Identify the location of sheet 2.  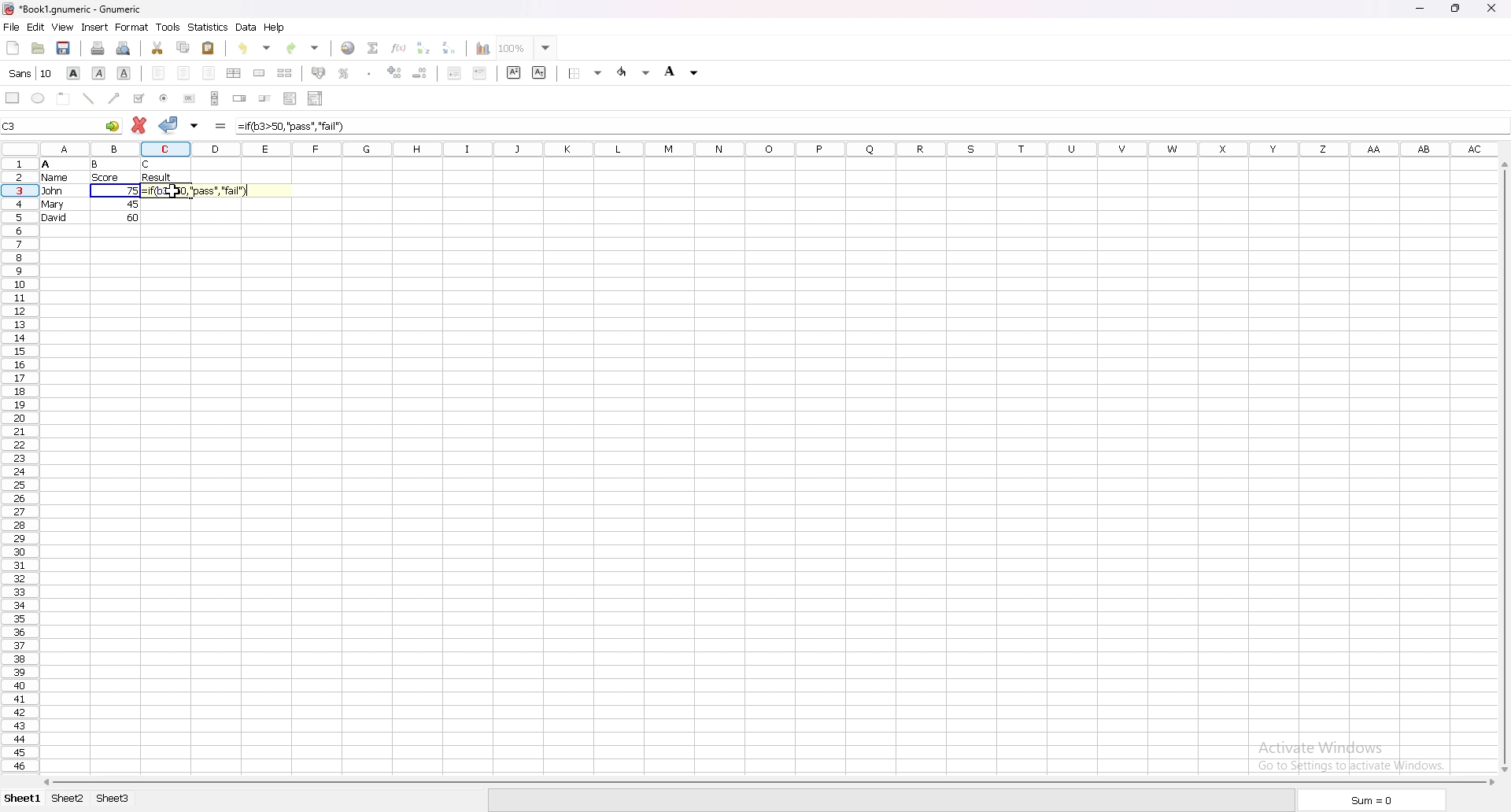
(65, 800).